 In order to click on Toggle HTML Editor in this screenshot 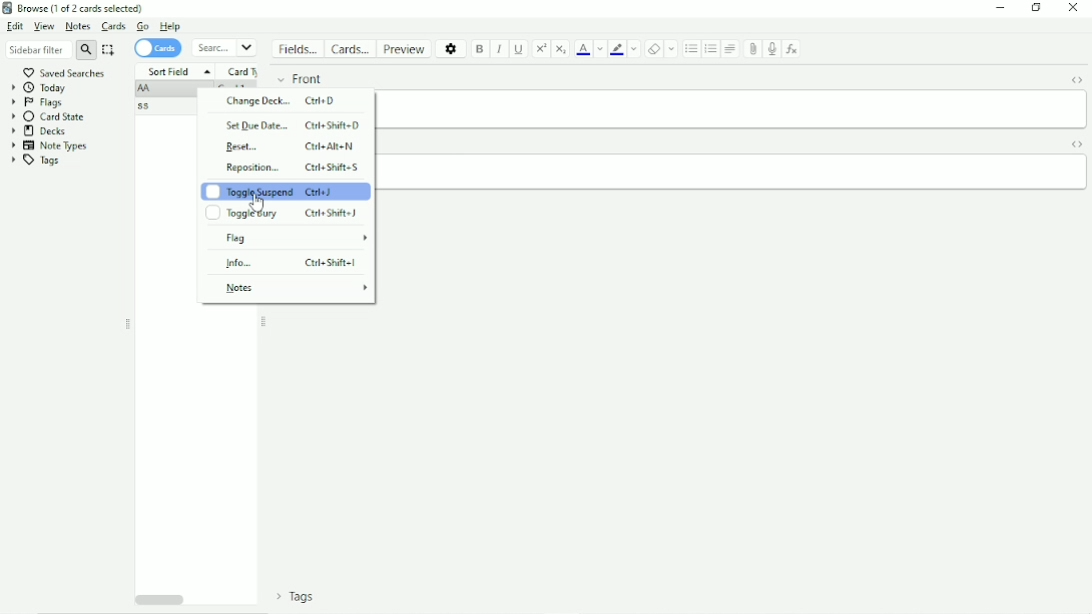, I will do `click(1077, 143)`.